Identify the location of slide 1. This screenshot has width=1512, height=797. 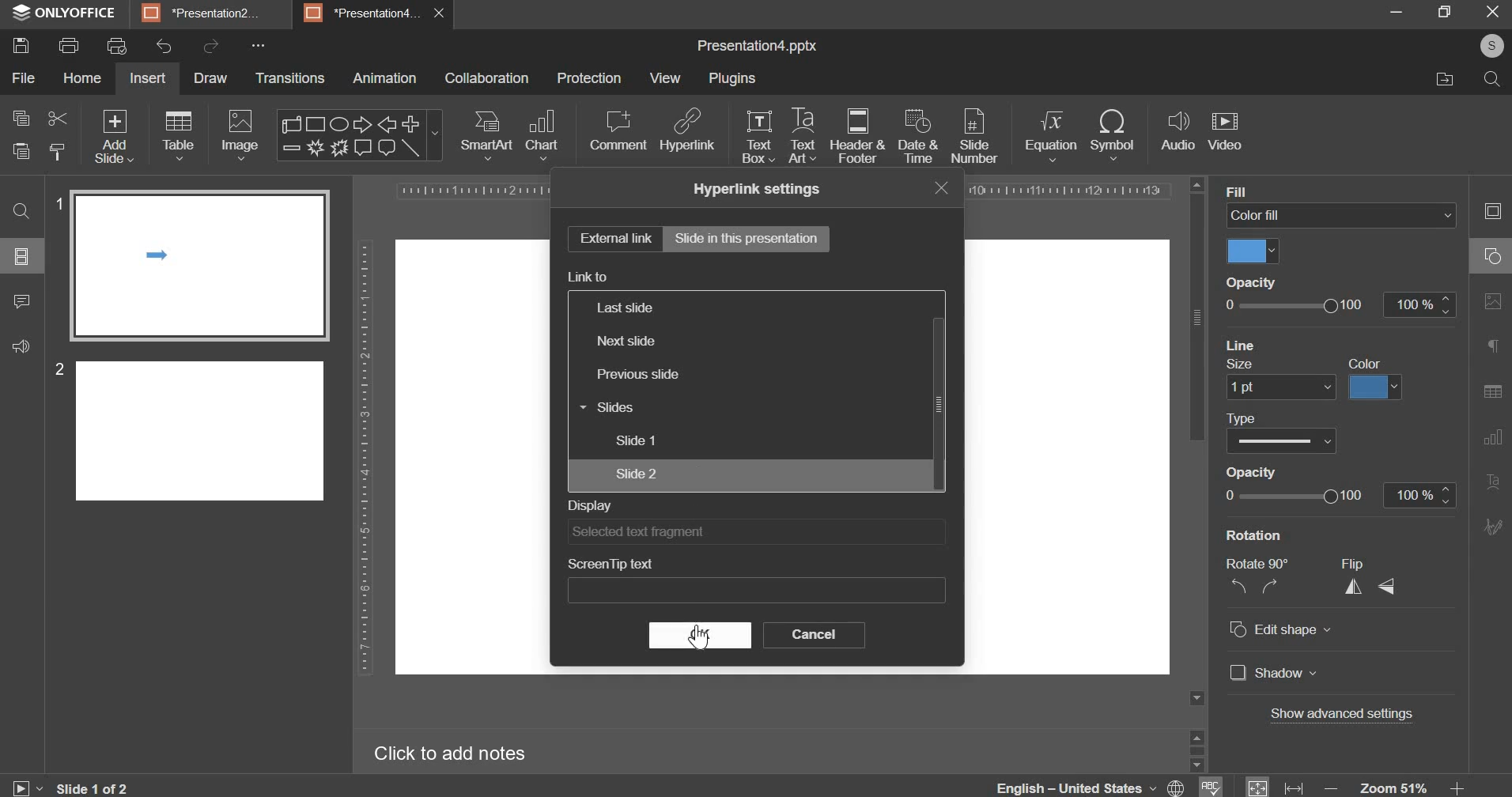
(635, 440).